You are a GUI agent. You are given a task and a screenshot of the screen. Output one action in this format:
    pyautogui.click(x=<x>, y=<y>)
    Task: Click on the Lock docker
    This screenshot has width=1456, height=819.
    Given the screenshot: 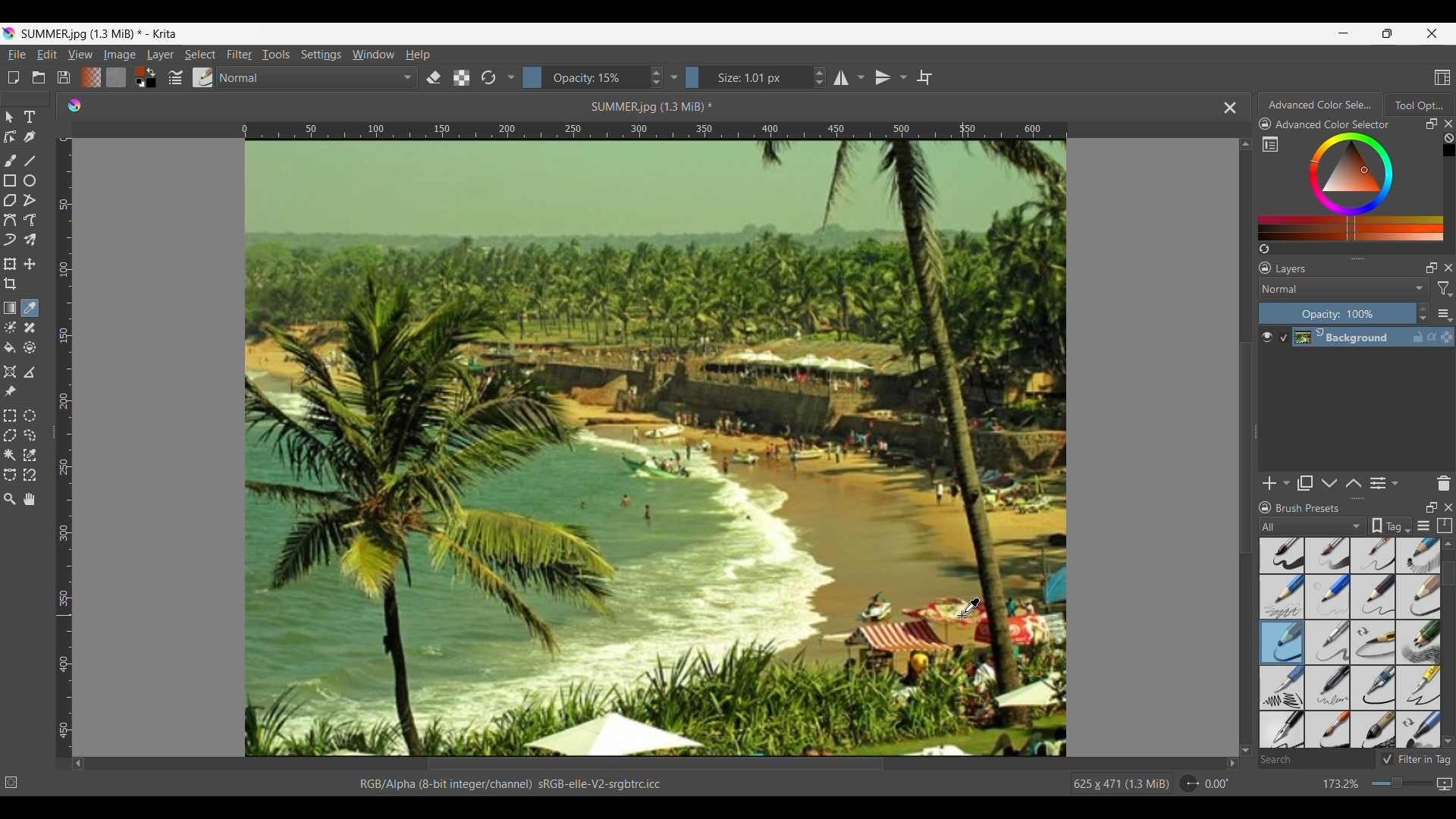 What is the action you would take?
    pyautogui.click(x=1264, y=124)
    